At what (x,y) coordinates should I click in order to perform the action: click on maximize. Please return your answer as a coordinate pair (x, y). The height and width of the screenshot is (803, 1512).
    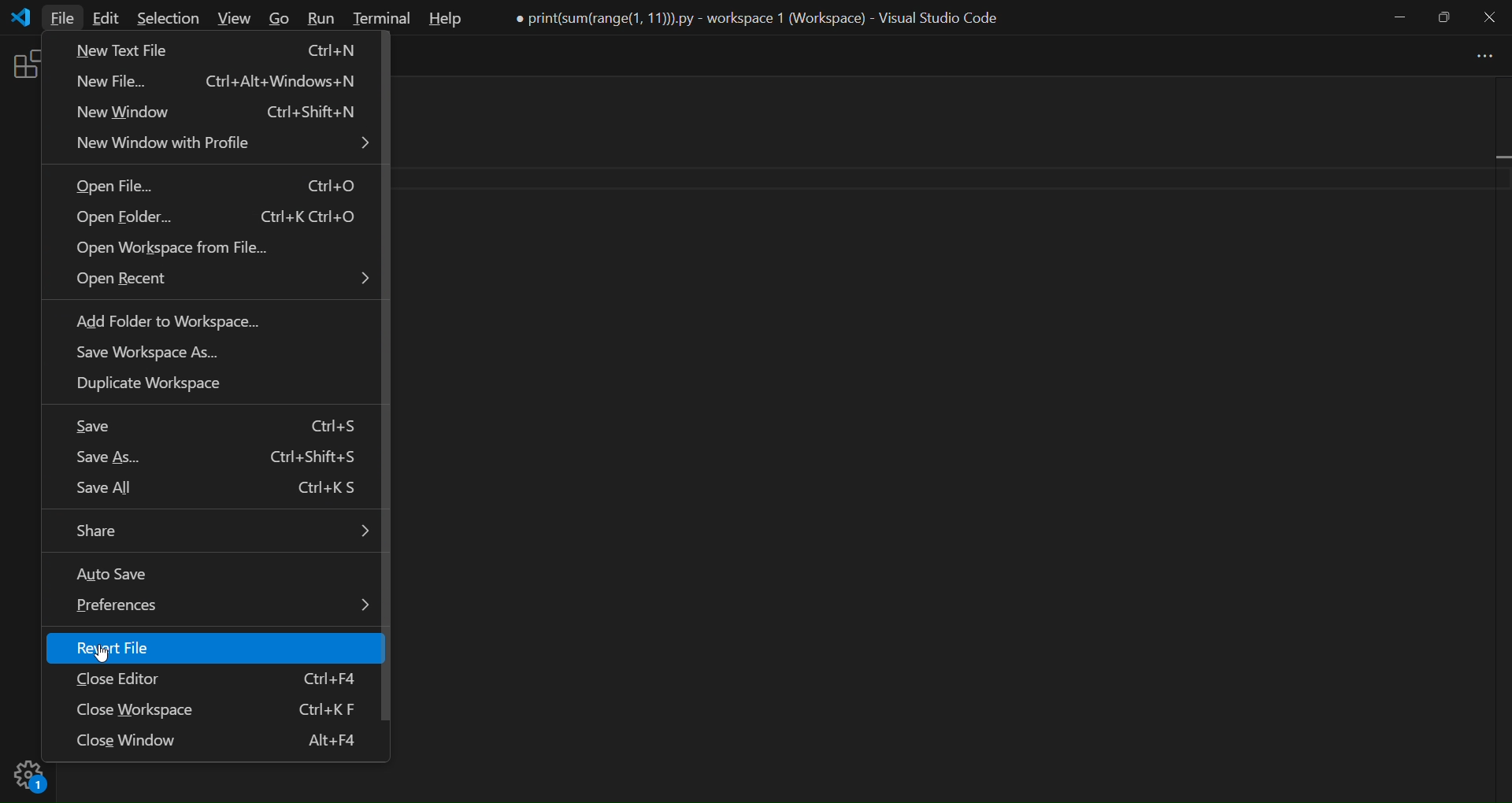
    Looking at the image, I should click on (1444, 17).